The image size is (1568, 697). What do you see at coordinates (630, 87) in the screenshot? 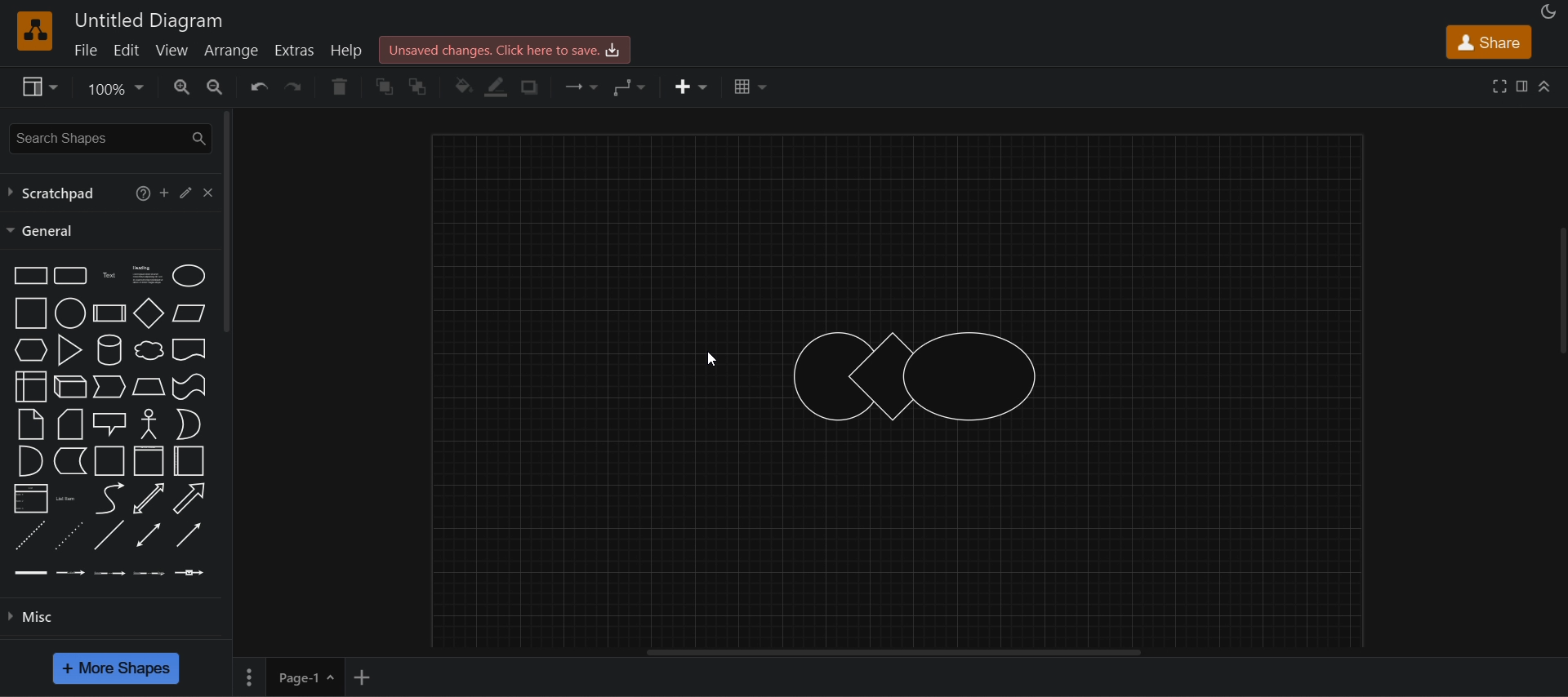
I see `waypoints` at bounding box center [630, 87].